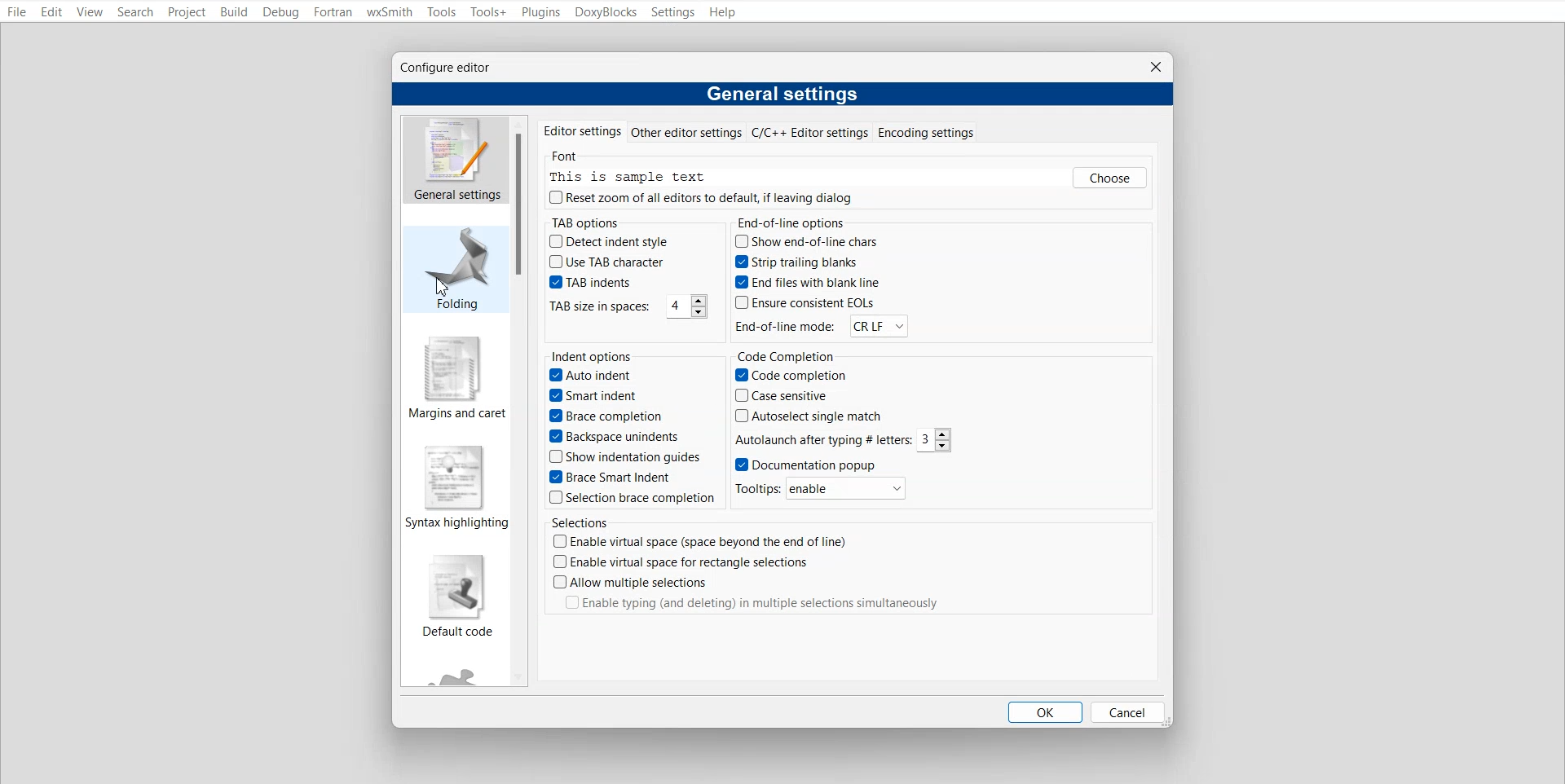 The width and height of the screenshot is (1565, 784). What do you see at coordinates (389, 11) in the screenshot?
I see `wxSmith` at bounding box center [389, 11].